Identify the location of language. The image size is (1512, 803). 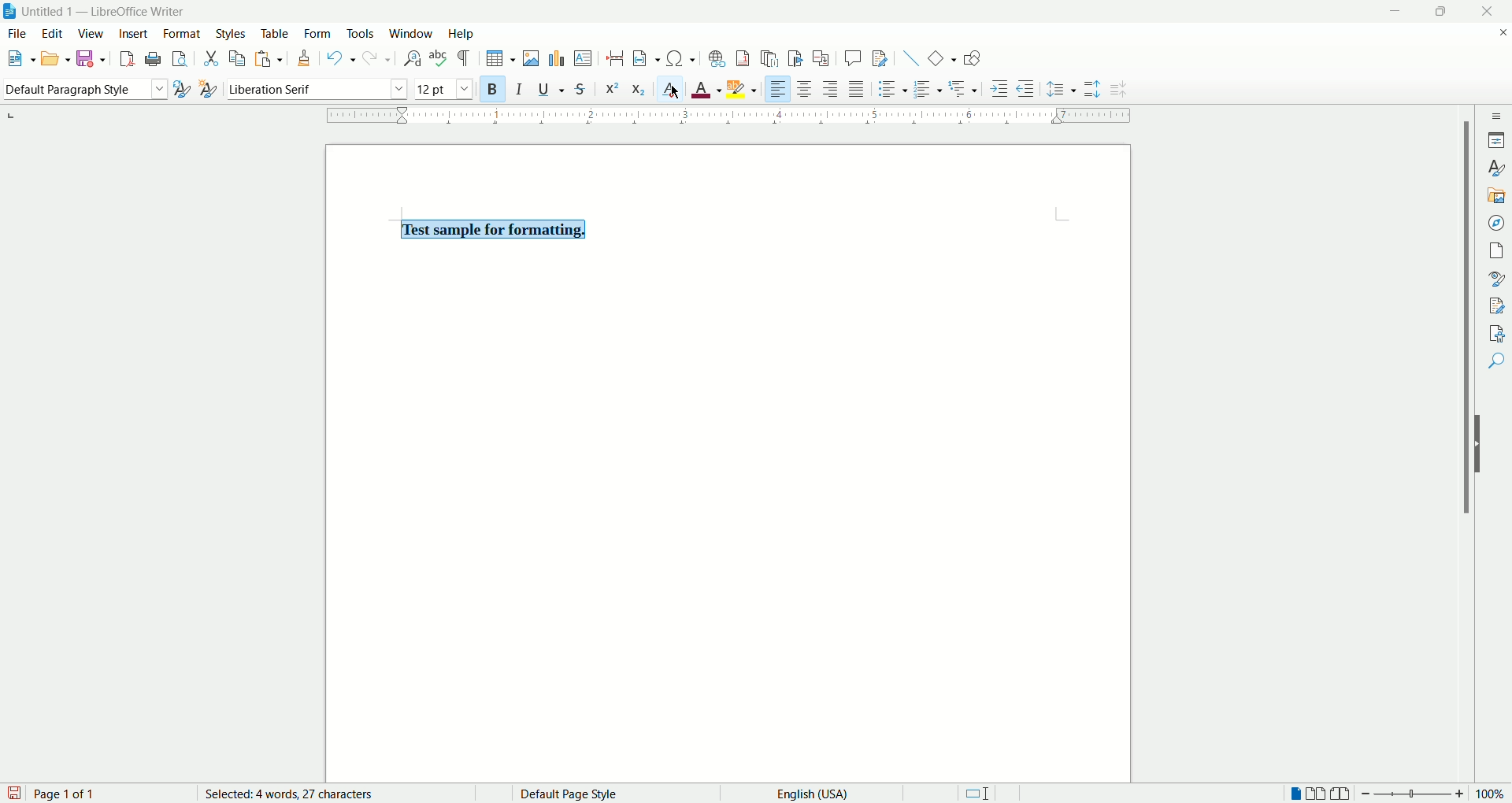
(820, 793).